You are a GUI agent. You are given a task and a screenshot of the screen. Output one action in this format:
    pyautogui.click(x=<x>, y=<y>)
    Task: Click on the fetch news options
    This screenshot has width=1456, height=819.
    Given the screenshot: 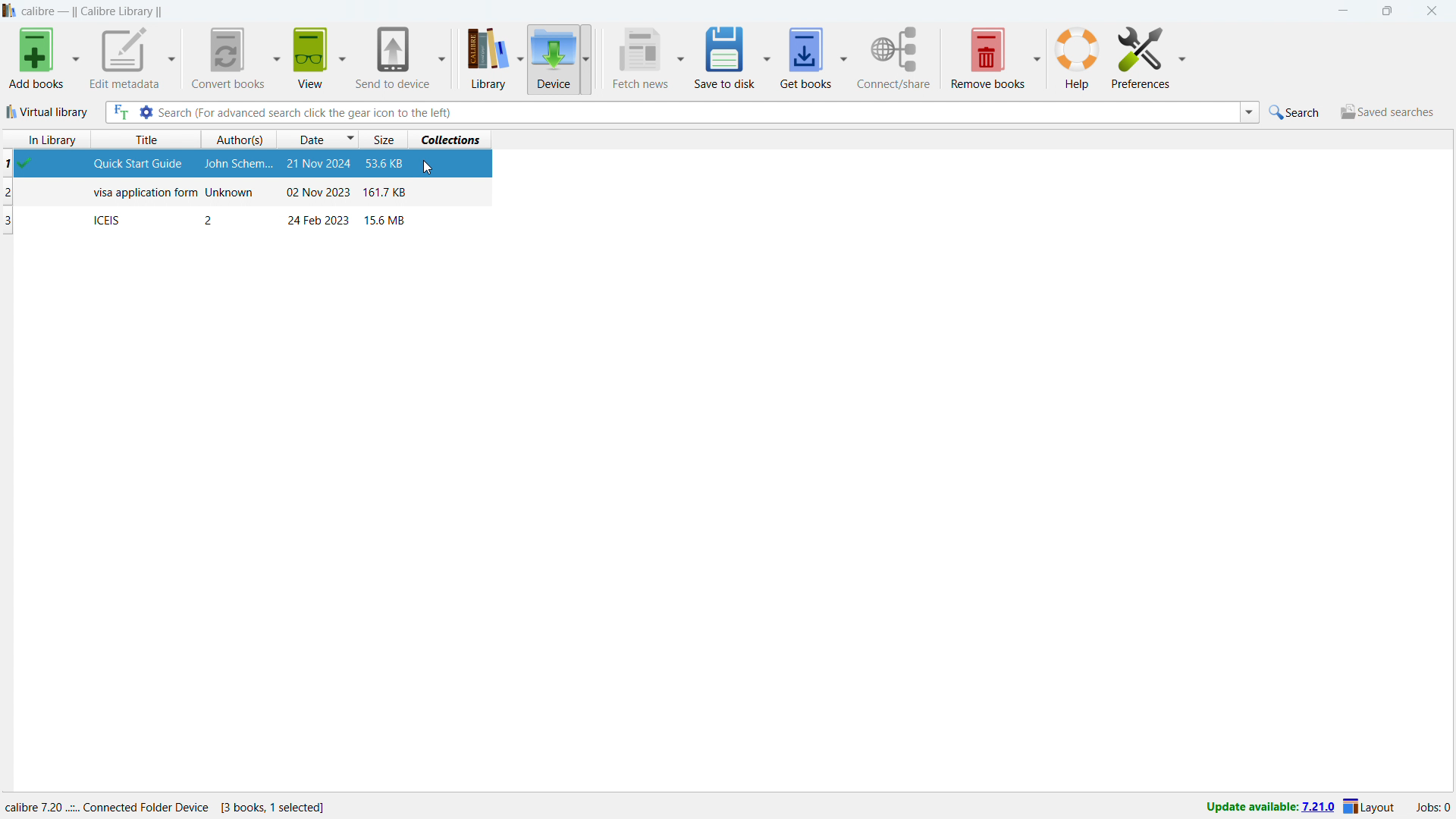 What is the action you would take?
    pyautogui.click(x=681, y=60)
    